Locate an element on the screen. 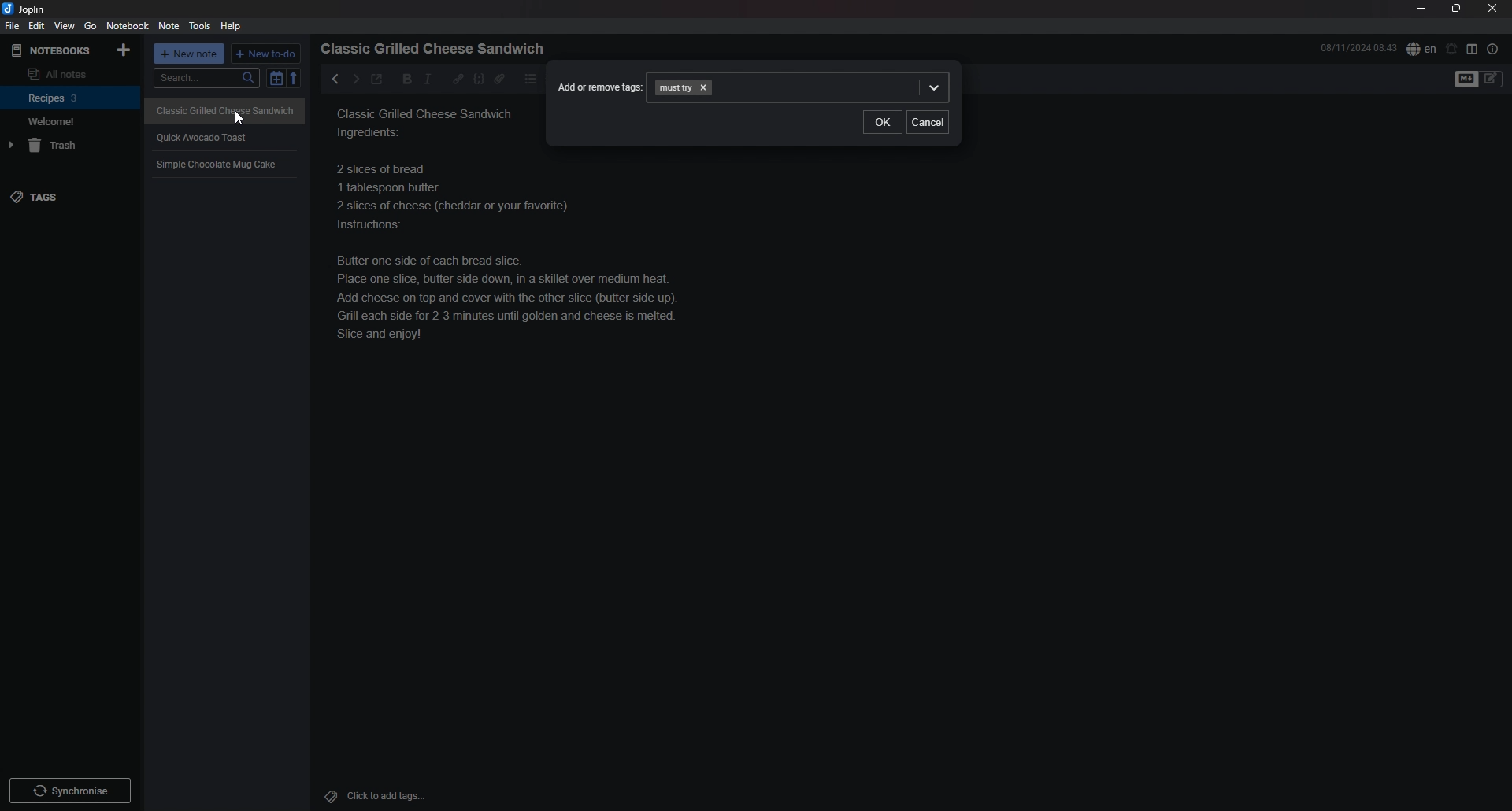  add or remove tags is located at coordinates (598, 87).